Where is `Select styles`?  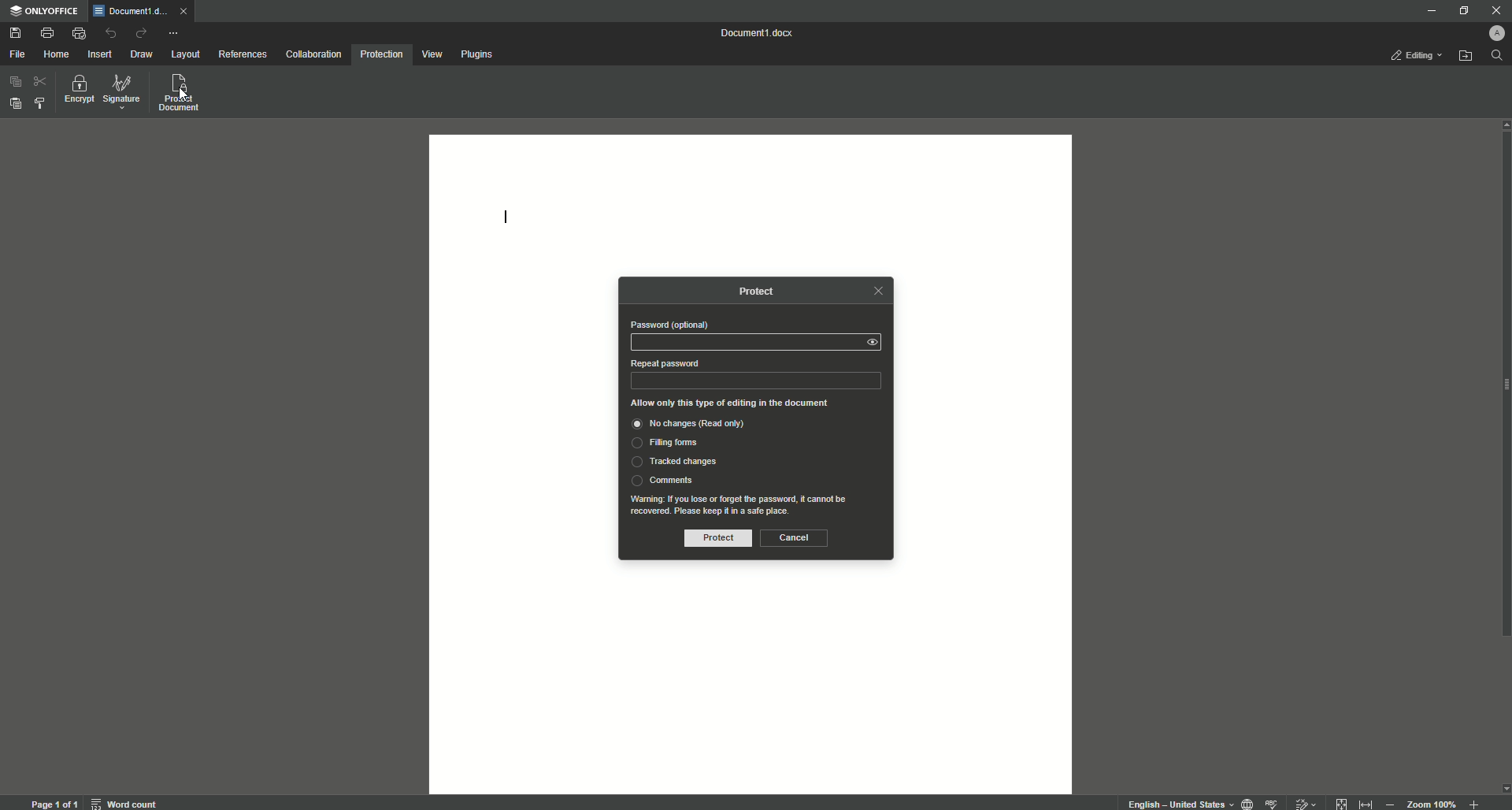 Select styles is located at coordinates (39, 105).